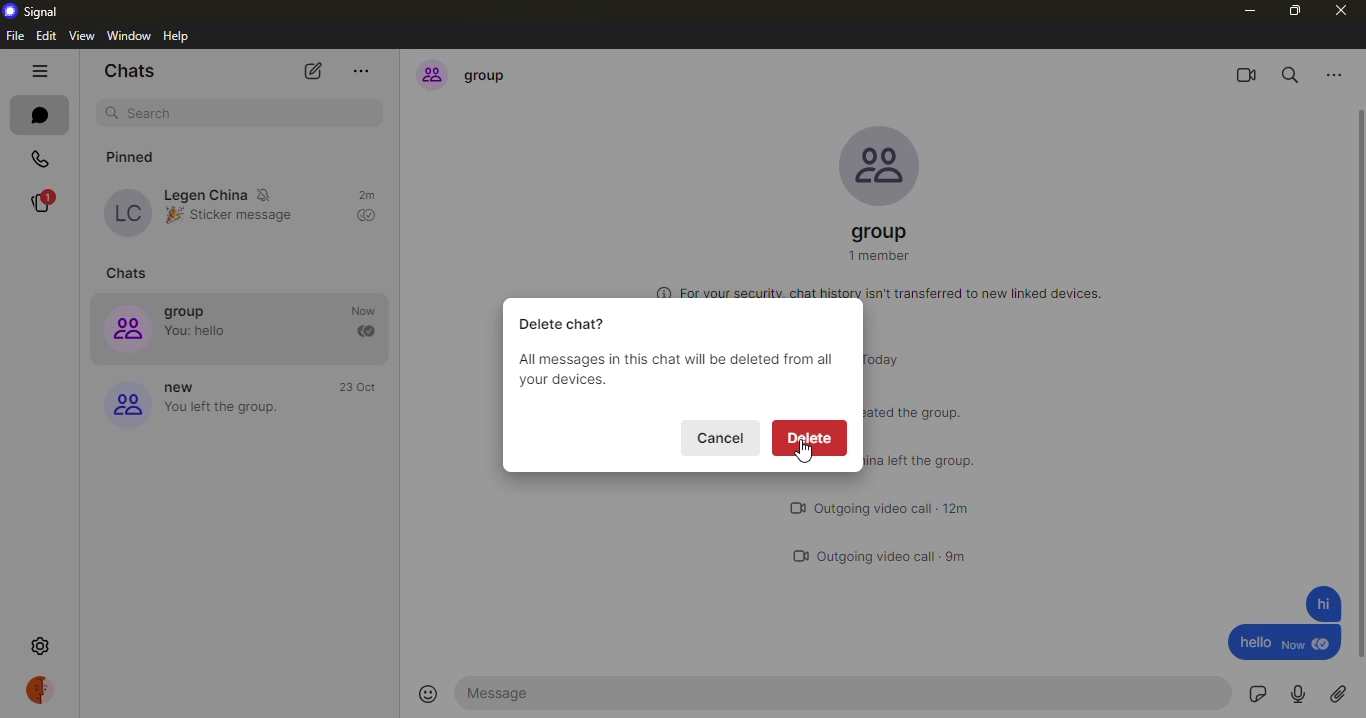  What do you see at coordinates (226, 409) in the screenshot?
I see `you left the group.` at bounding box center [226, 409].